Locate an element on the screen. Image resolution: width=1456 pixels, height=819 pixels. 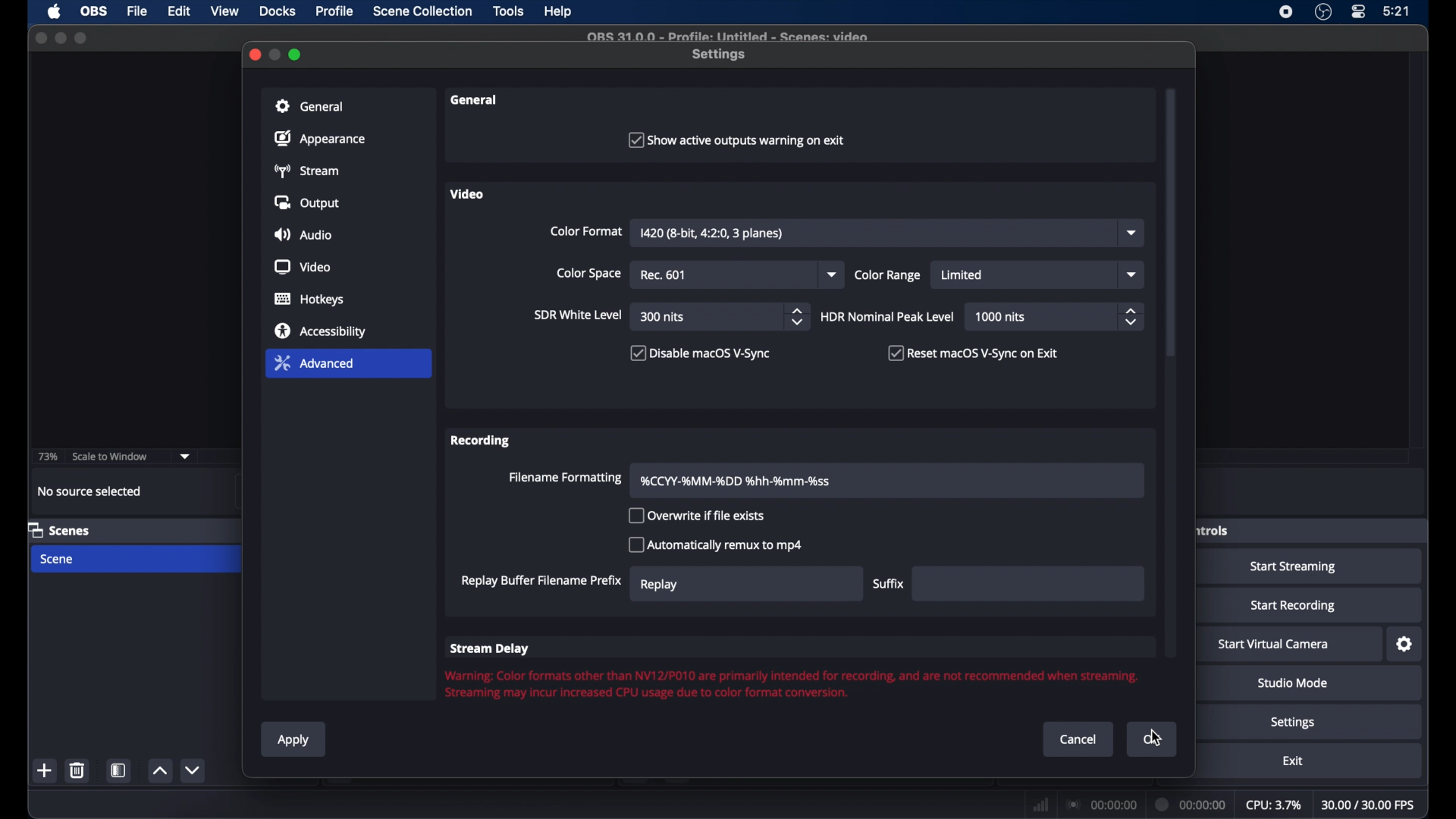
replay is located at coordinates (659, 585).